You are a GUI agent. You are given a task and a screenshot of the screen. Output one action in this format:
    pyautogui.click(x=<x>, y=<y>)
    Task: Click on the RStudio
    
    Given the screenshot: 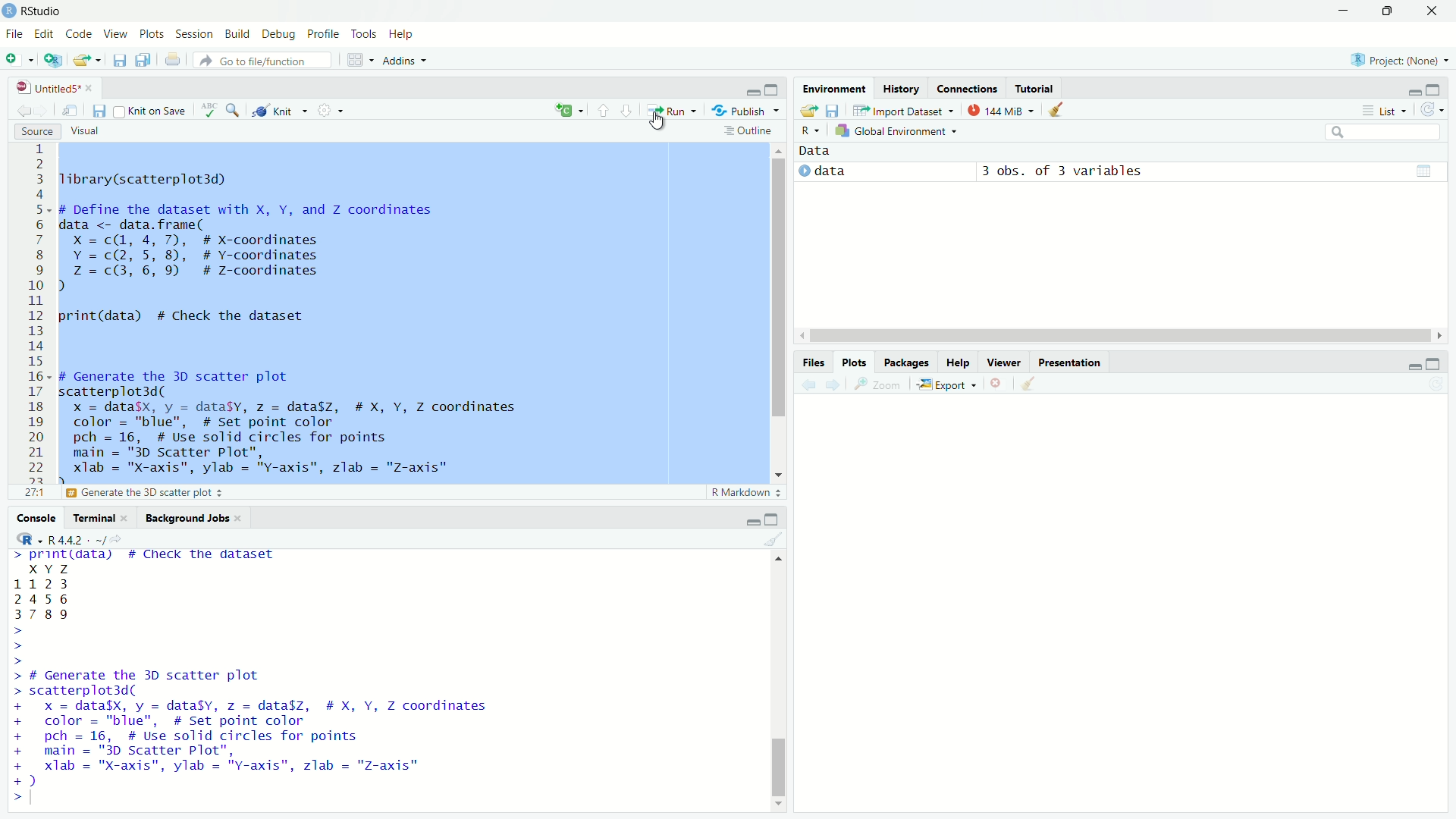 What is the action you would take?
    pyautogui.click(x=47, y=11)
    